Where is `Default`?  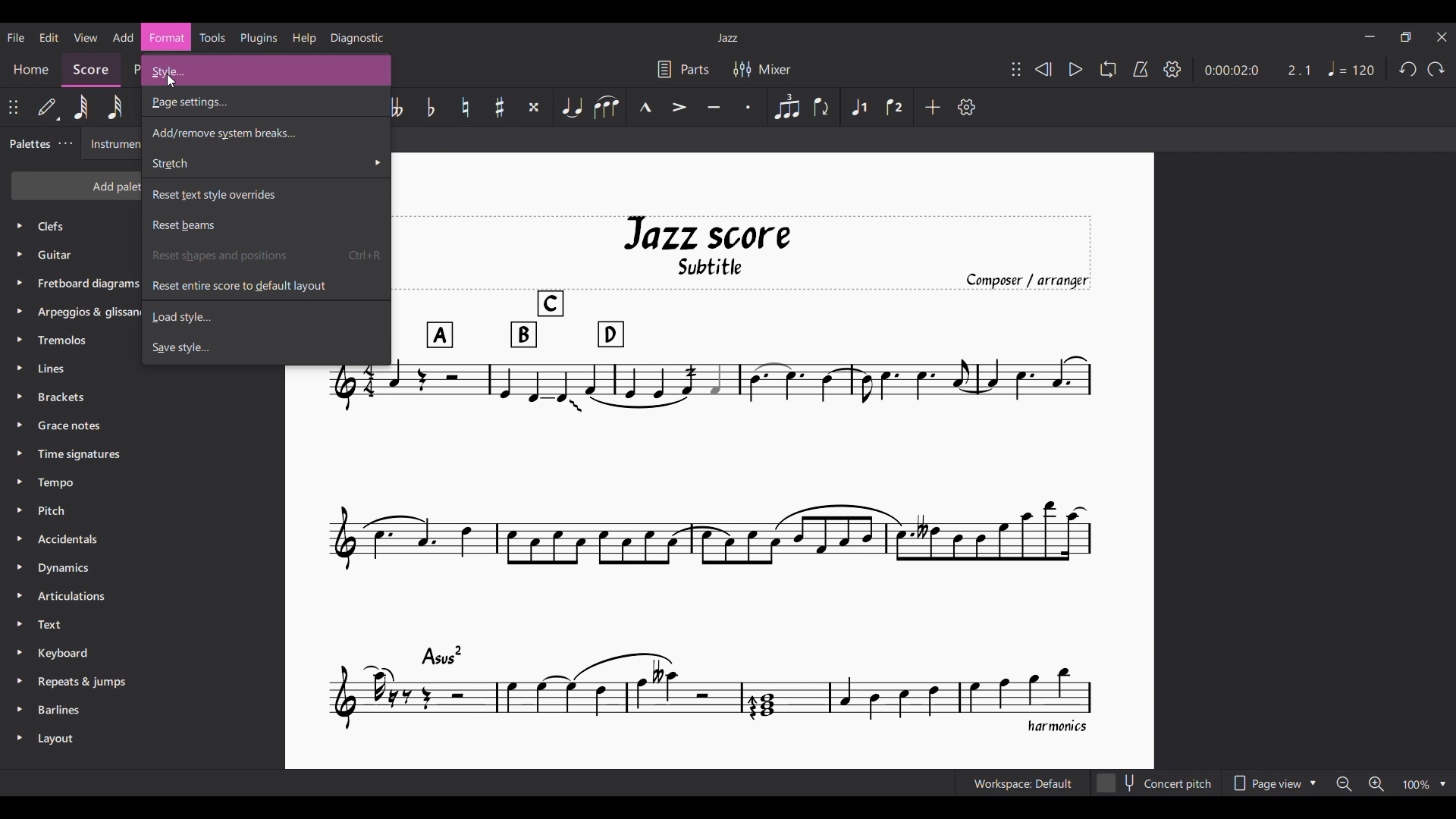 Default is located at coordinates (48, 107).